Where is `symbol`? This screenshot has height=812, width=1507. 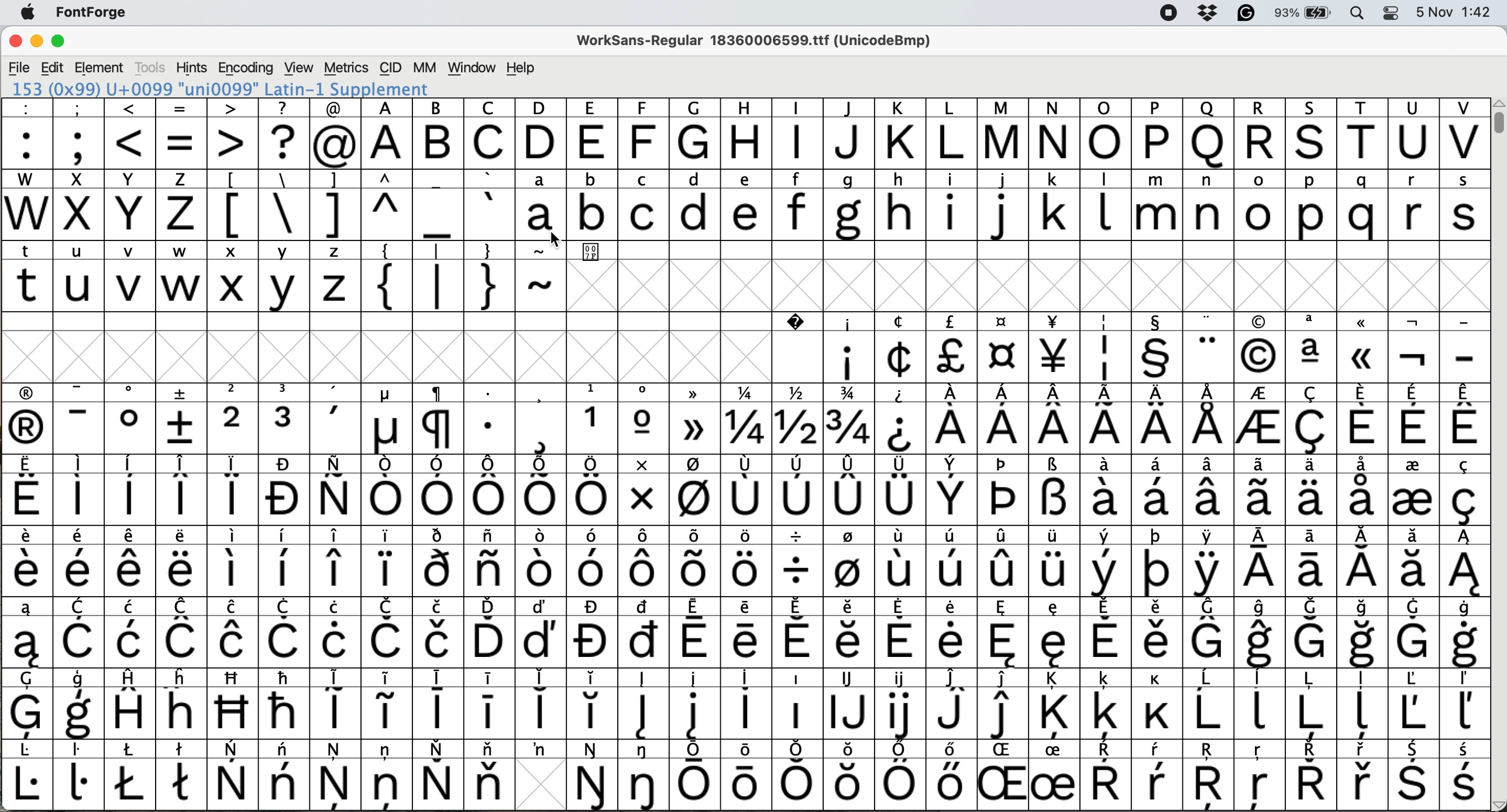 symbol is located at coordinates (1210, 704).